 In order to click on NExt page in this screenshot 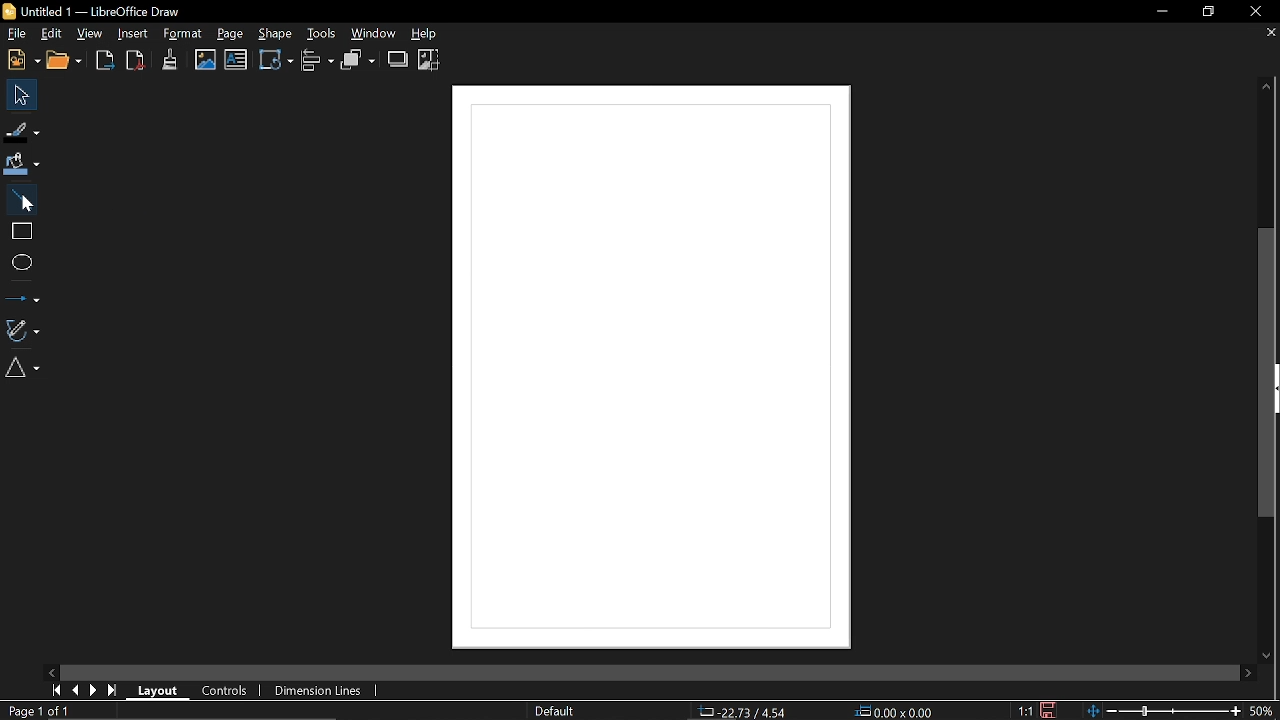, I will do `click(95, 690)`.